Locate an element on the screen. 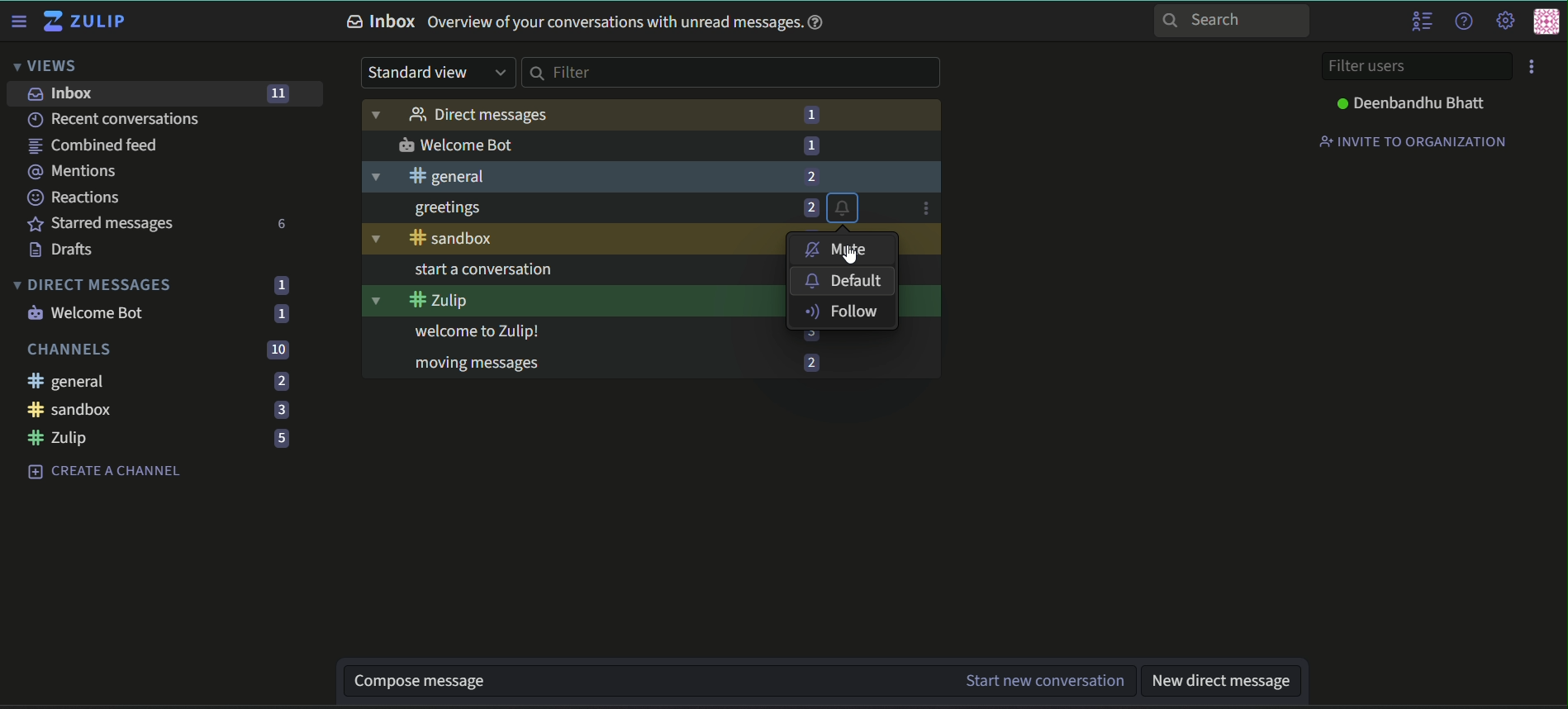 The width and height of the screenshot is (1568, 709). Deenbandhu Bhatt is located at coordinates (1414, 102).